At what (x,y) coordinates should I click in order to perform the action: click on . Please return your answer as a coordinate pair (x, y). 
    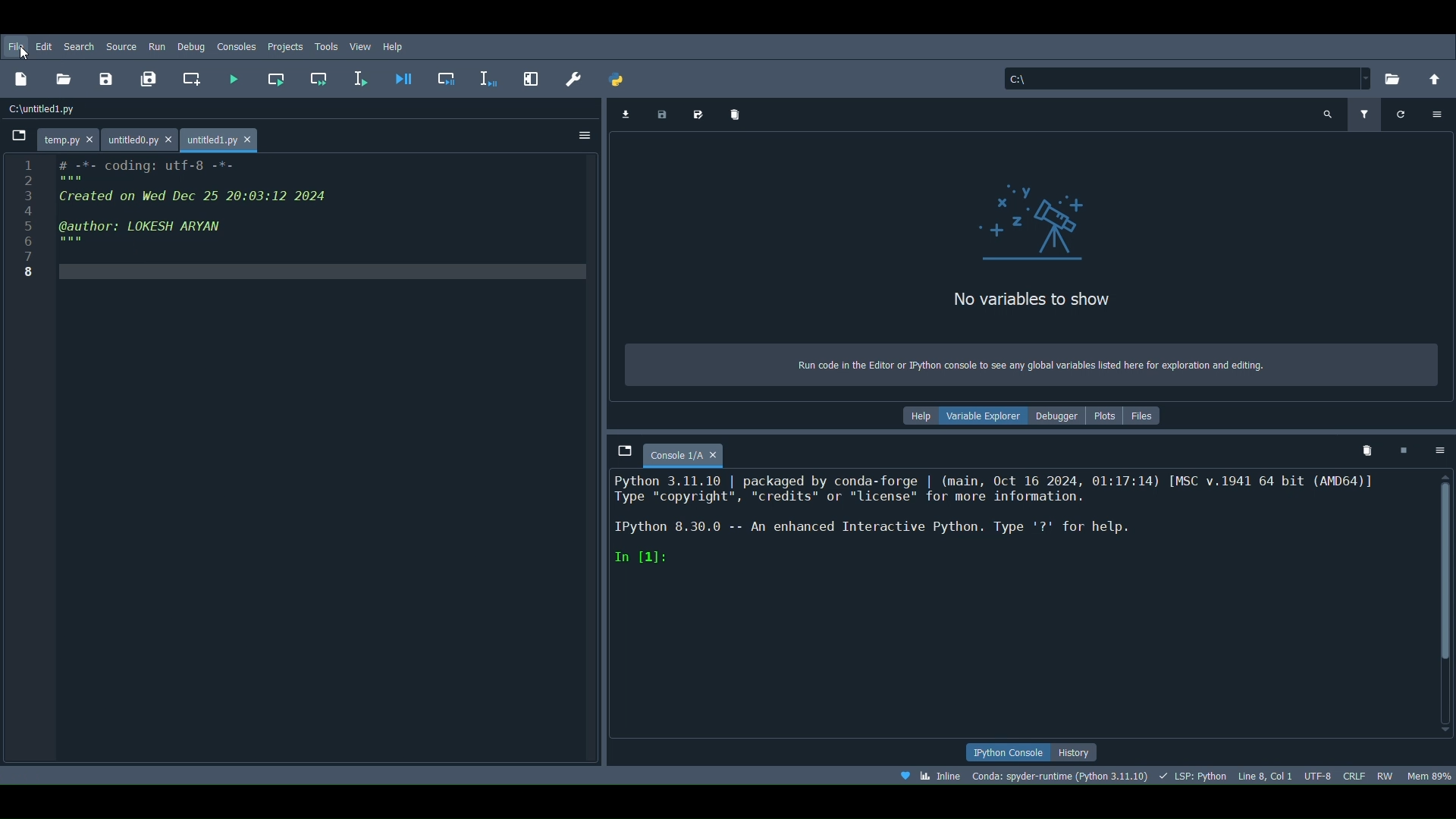
    Looking at the image, I should click on (449, 80).